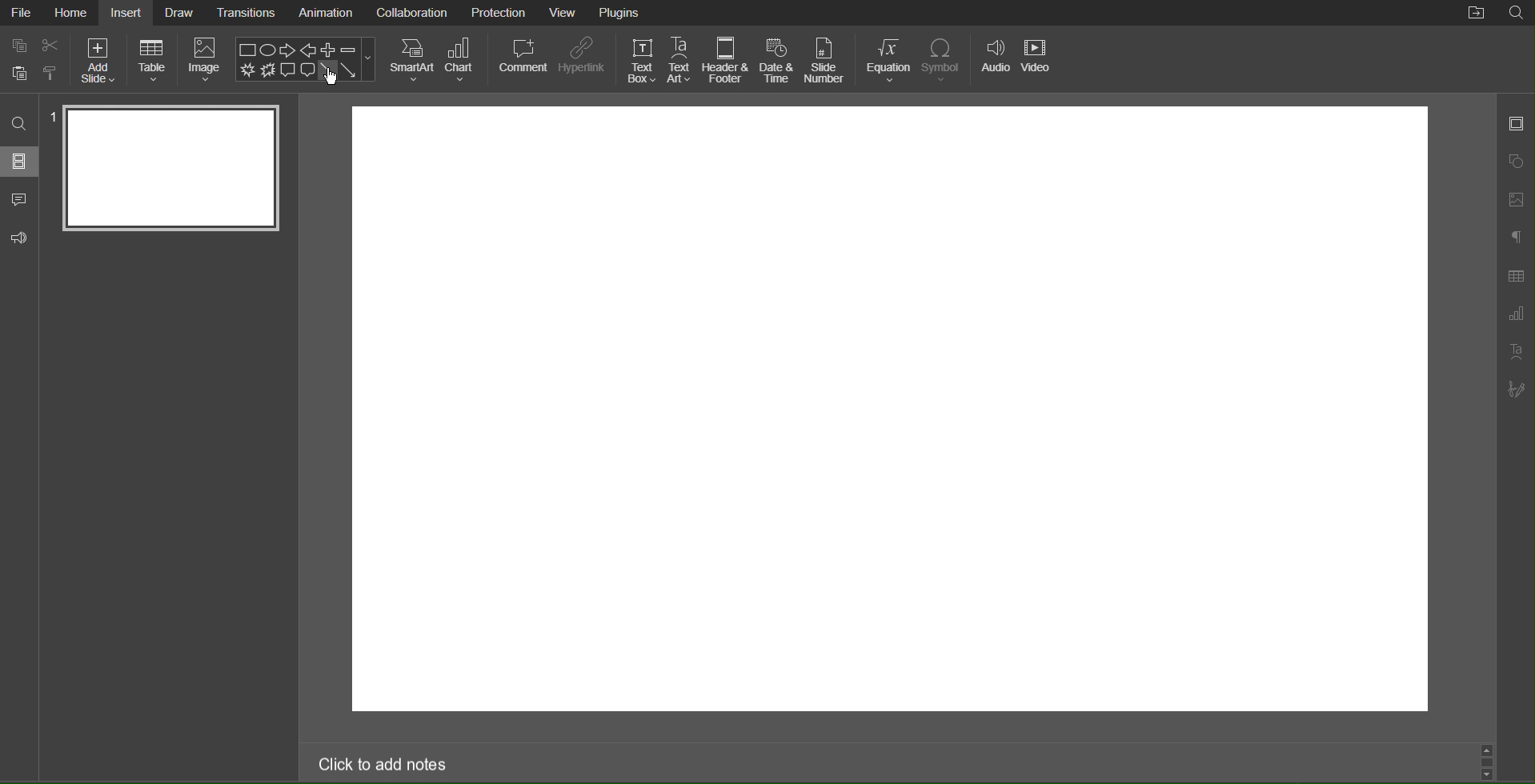  What do you see at coordinates (1042, 59) in the screenshot?
I see `Video` at bounding box center [1042, 59].